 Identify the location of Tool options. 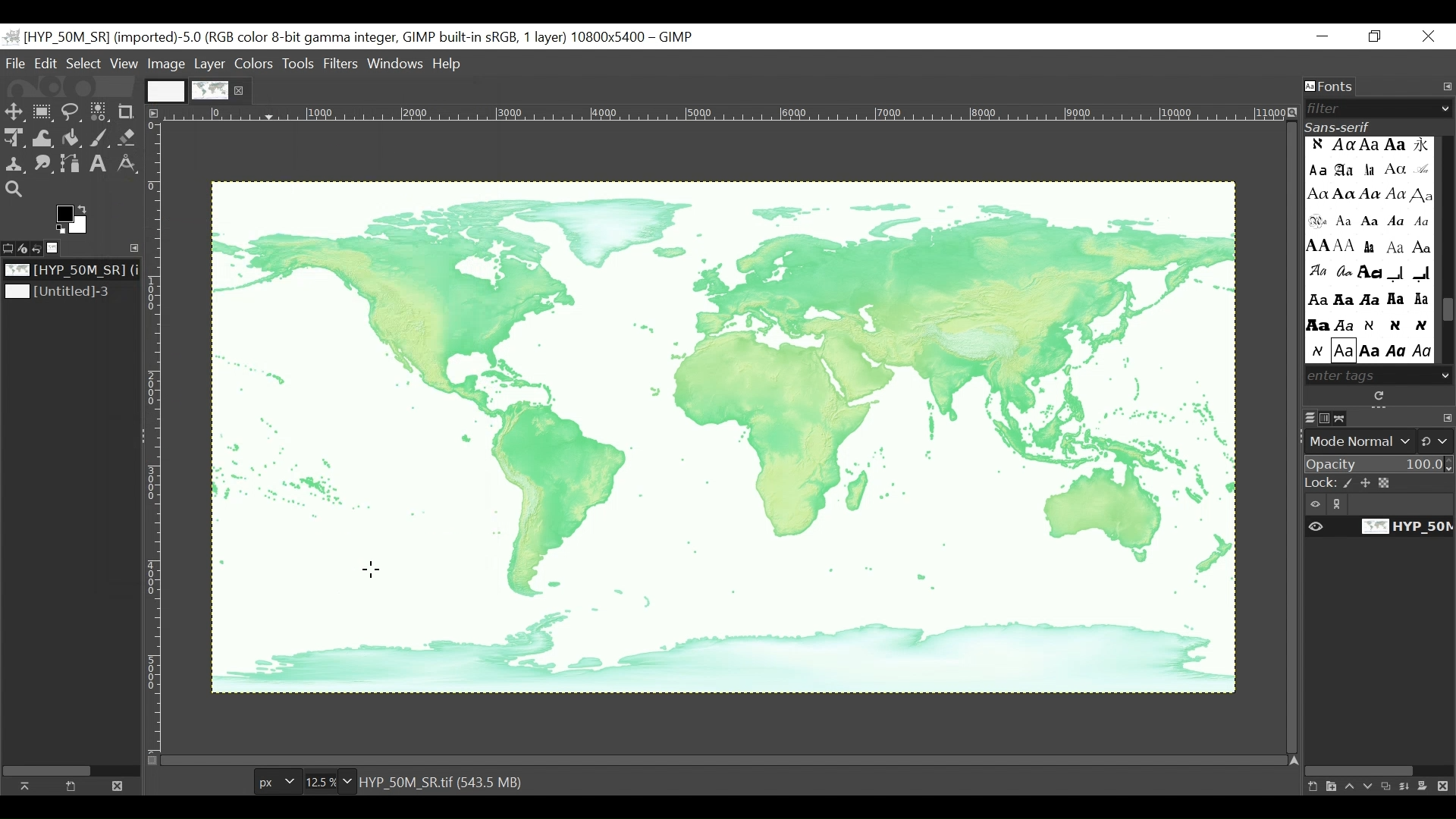
(9, 246).